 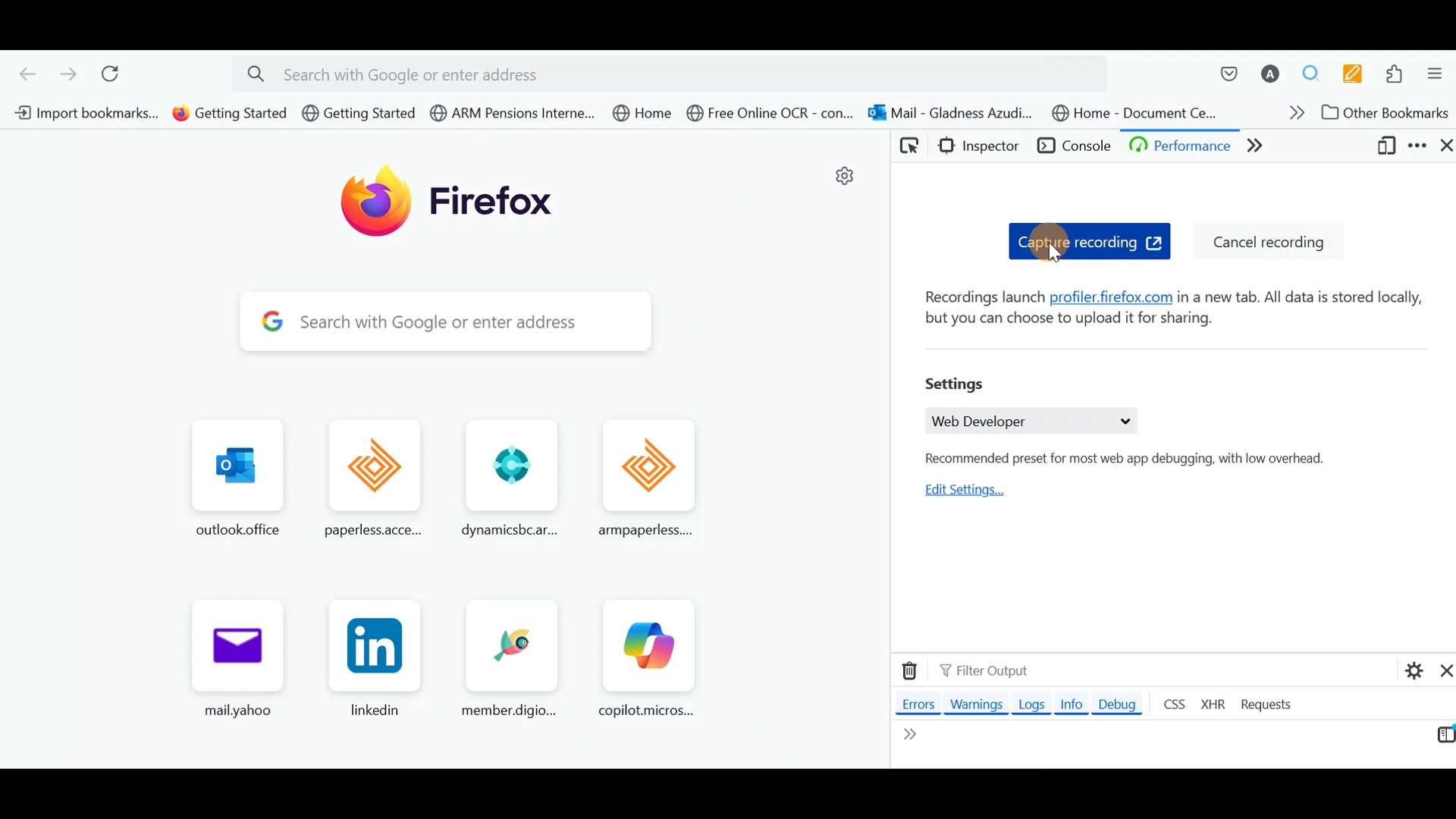 What do you see at coordinates (1277, 245) in the screenshot?
I see `Cancel recording` at bounding box center [1277, 245].